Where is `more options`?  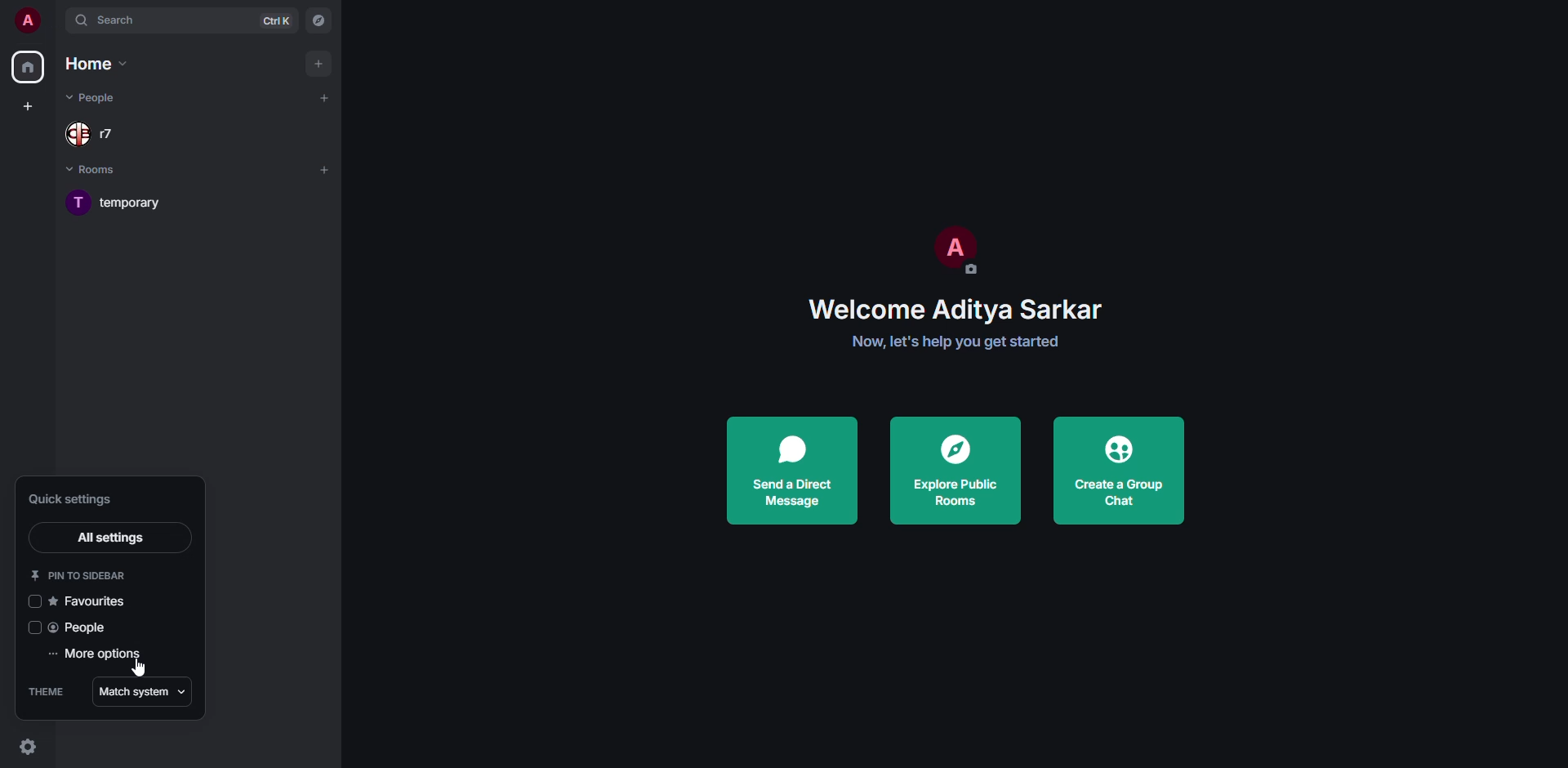
more options is located at coordinates (96, 655).